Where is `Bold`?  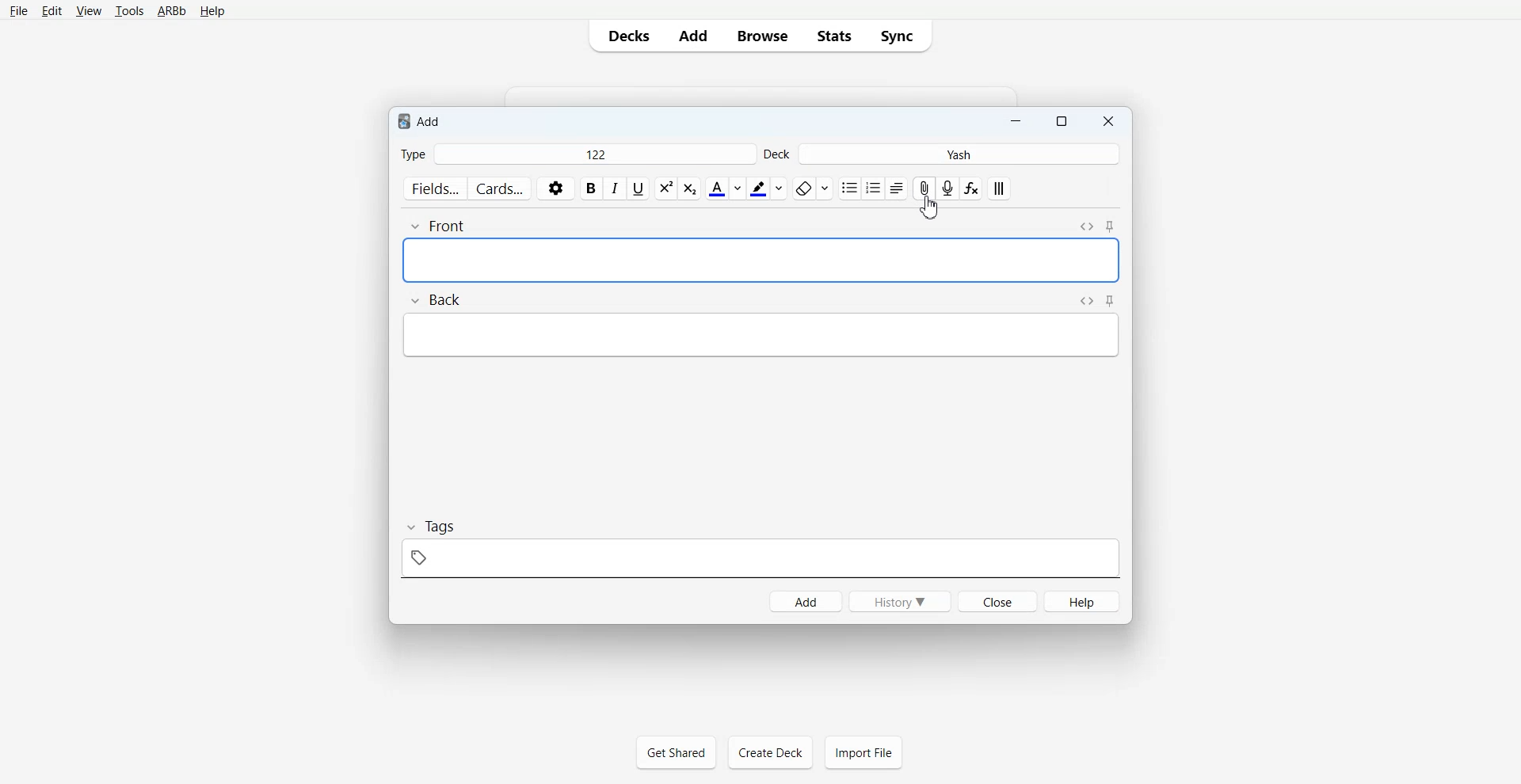 Bold is located at coordinates (592, 188).